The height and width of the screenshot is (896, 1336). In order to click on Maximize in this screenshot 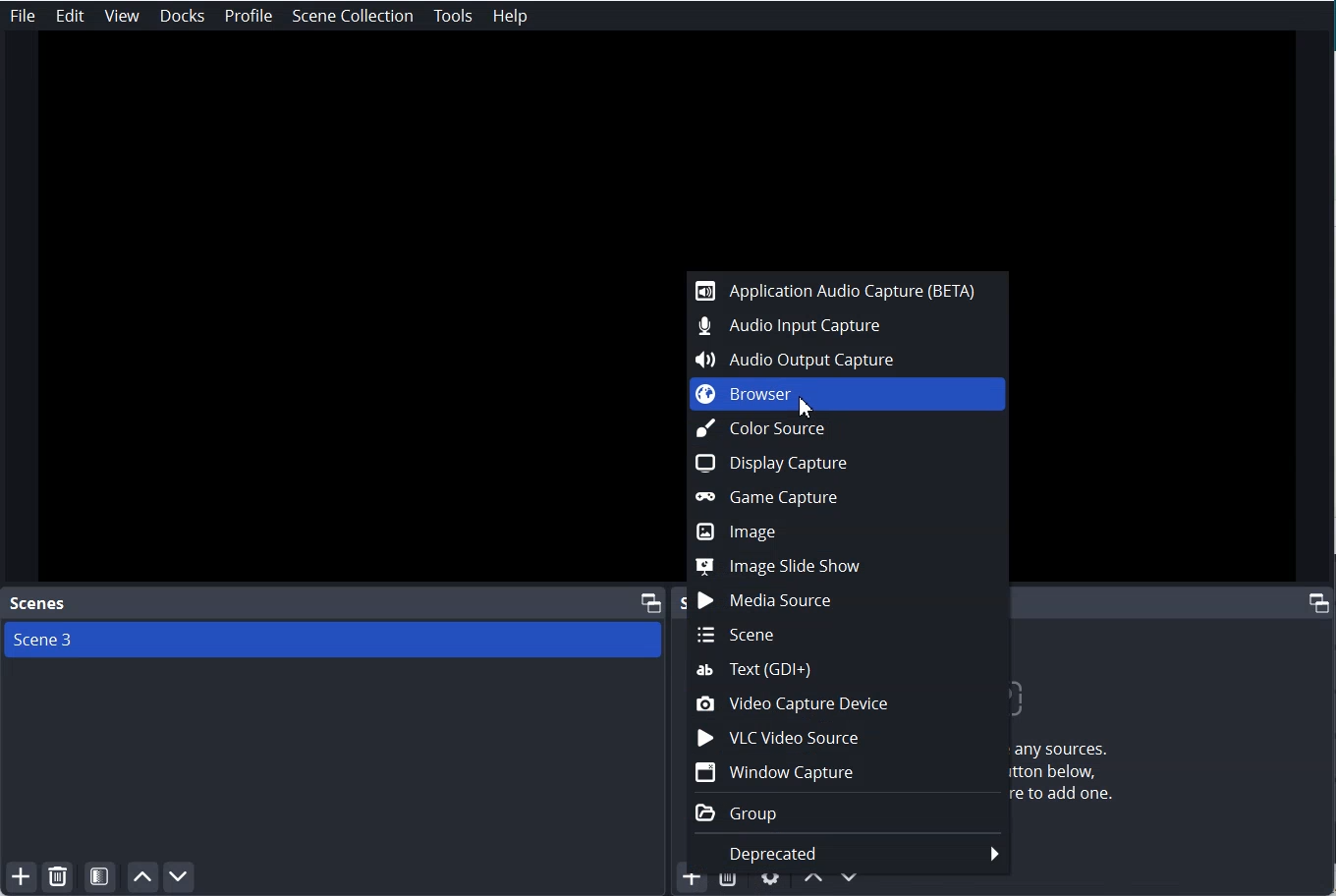, I will do `click(1319, 601)`.